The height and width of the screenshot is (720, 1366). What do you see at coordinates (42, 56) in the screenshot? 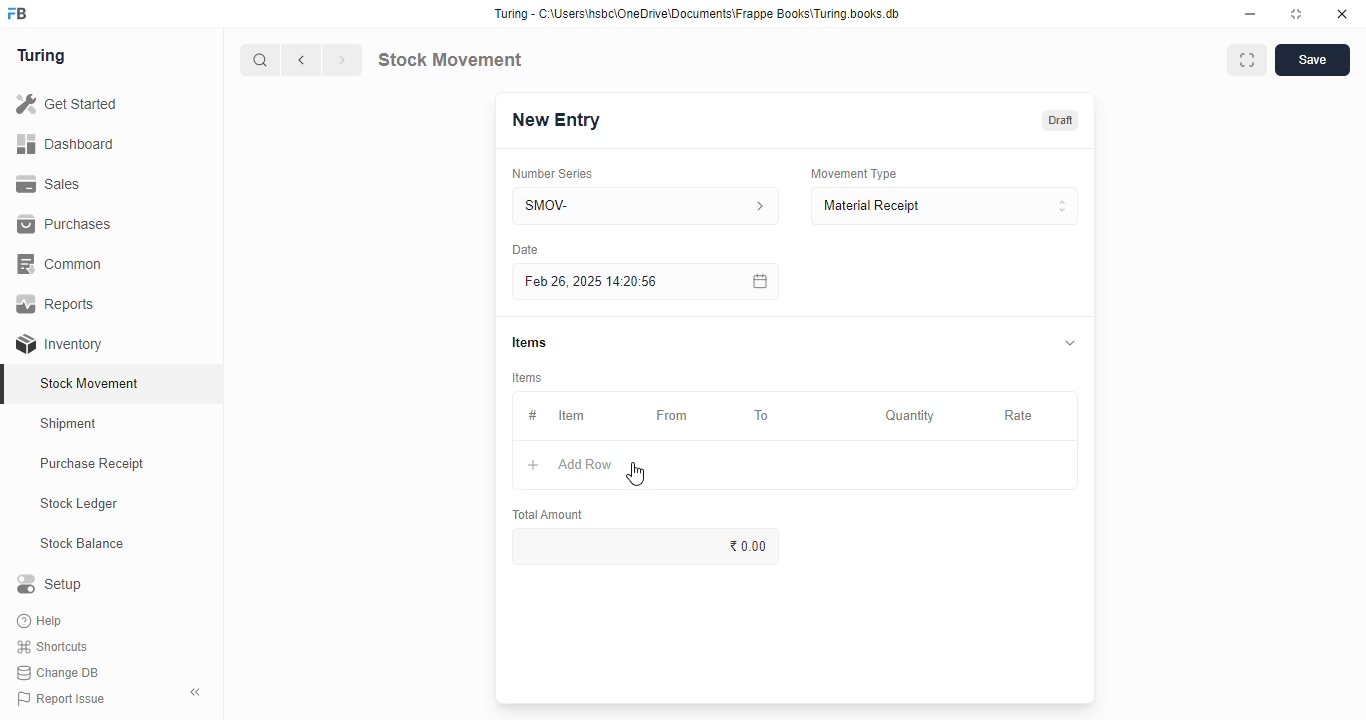
I see `turing` at bounding box center [42, 56].